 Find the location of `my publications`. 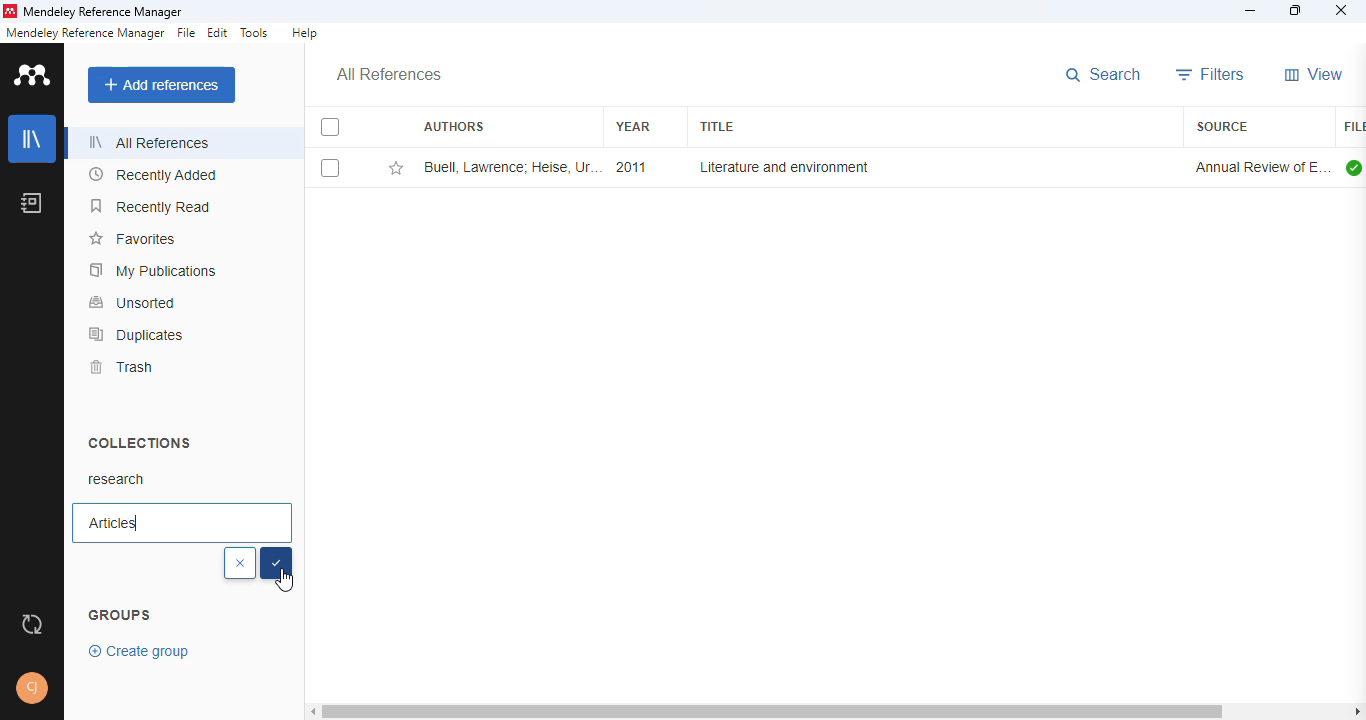

my publications is located at coordinates (153, 271).